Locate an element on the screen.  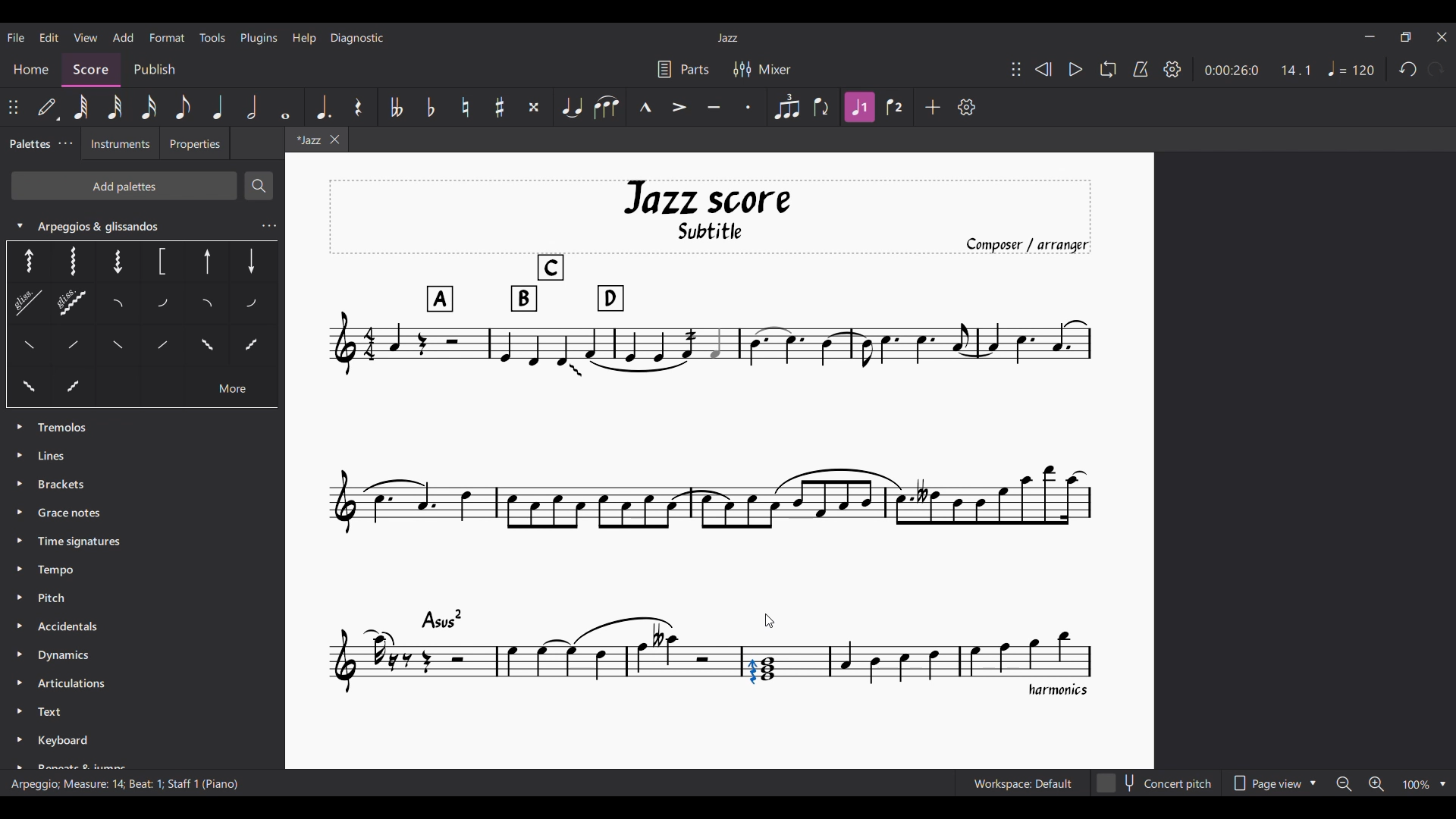
Rewind is located at coordinates (1043, 69).